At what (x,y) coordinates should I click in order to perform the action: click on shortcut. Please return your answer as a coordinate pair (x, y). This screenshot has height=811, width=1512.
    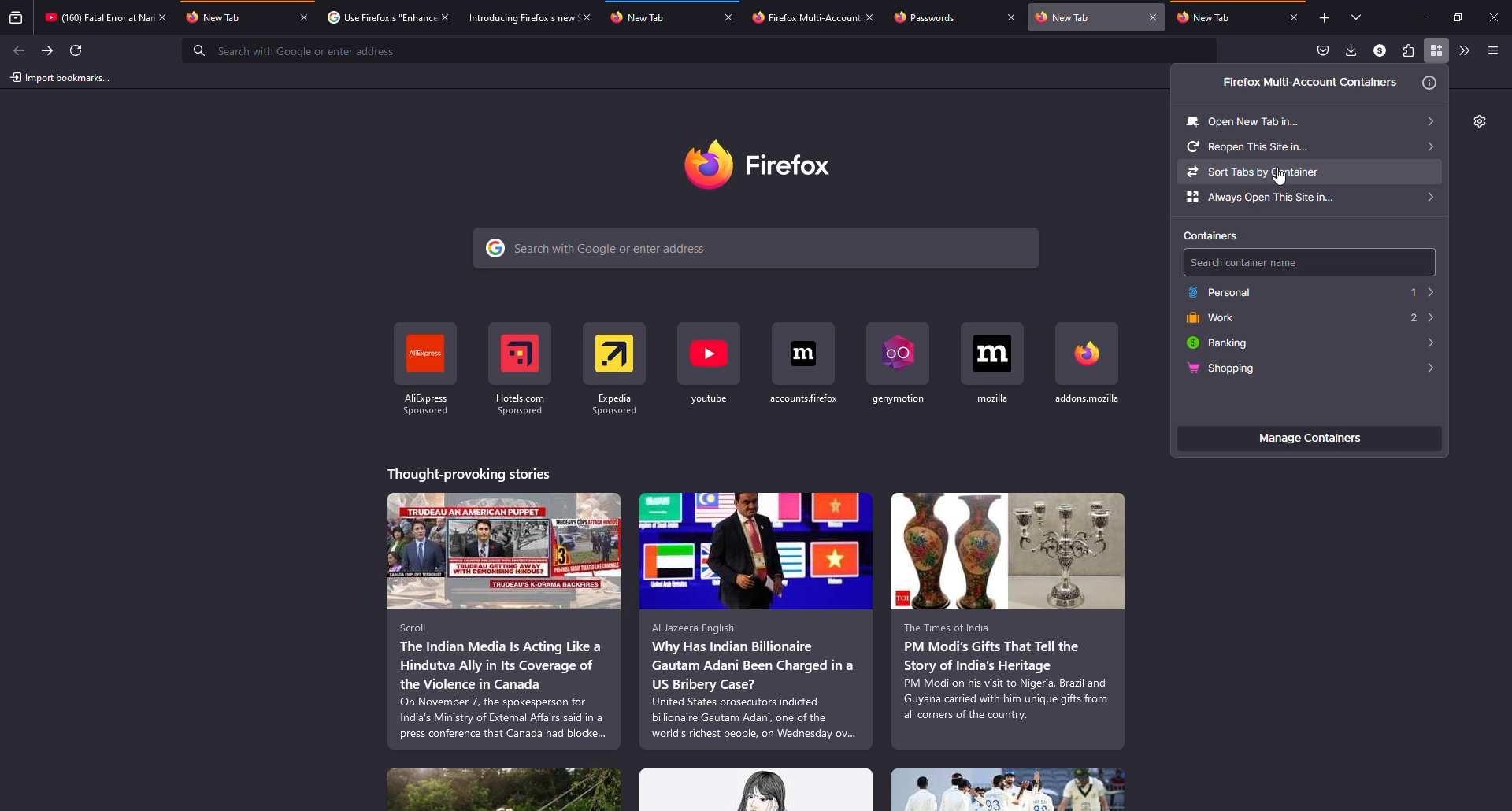
    Looking at the image, I should click on (711, 364).